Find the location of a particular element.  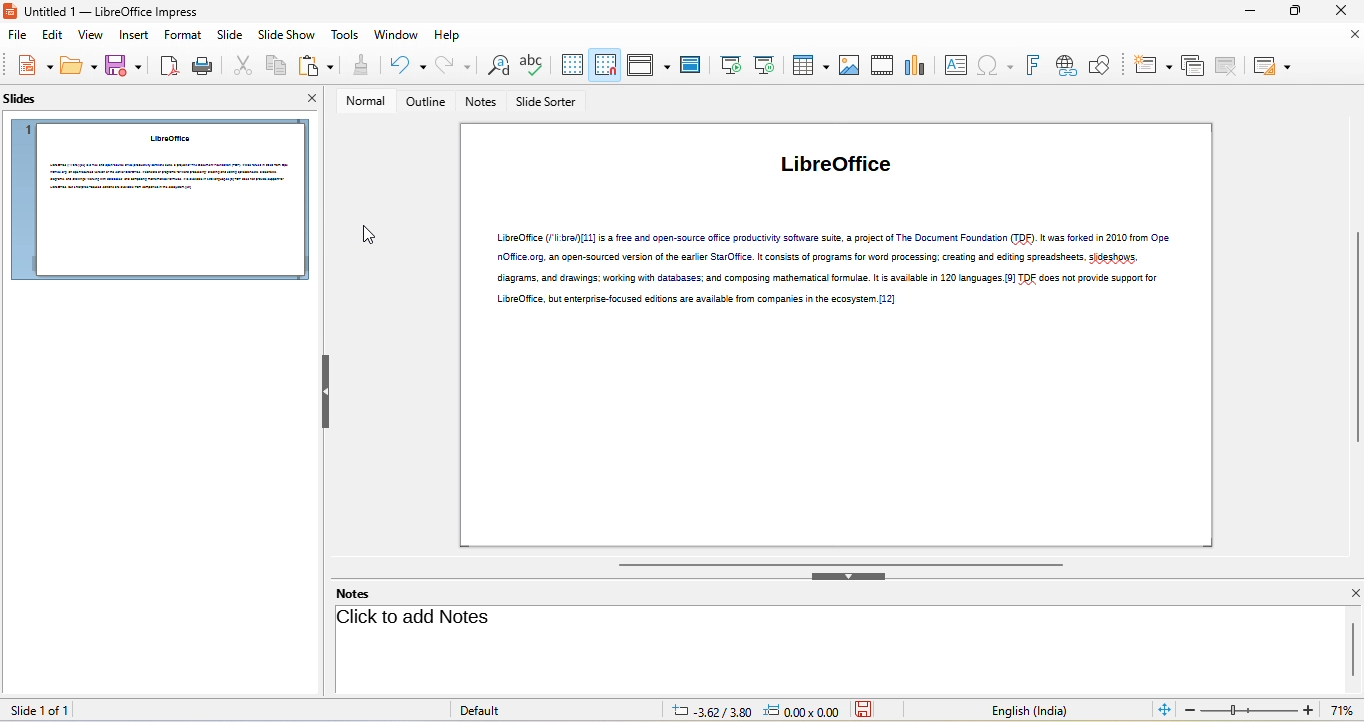

hide left sidebar is located at coordinates (326, 393).